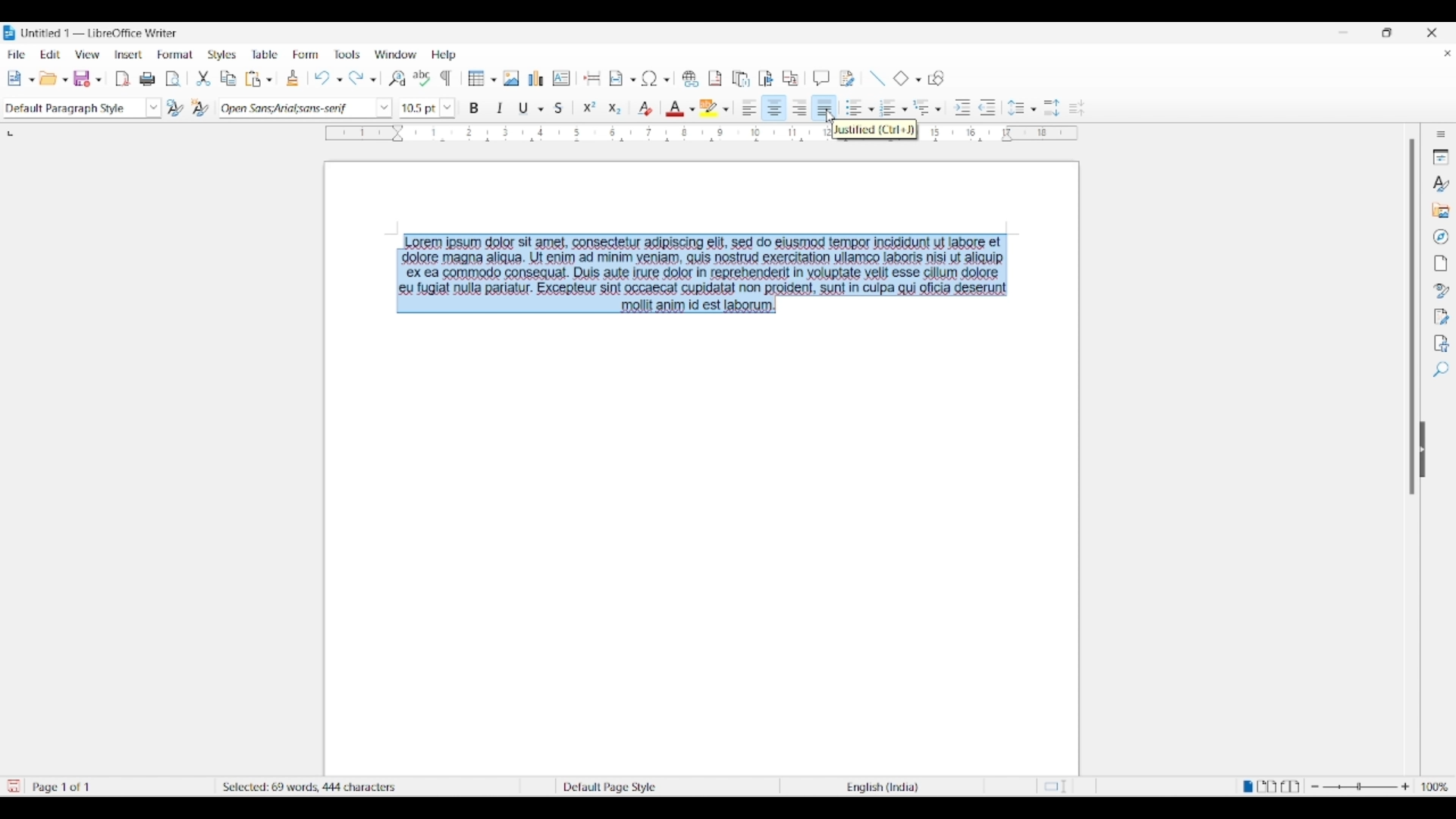  Describe the element at coordinates (72, 108) in the screenshot. I see `Manually enter paragraph style` at that location.